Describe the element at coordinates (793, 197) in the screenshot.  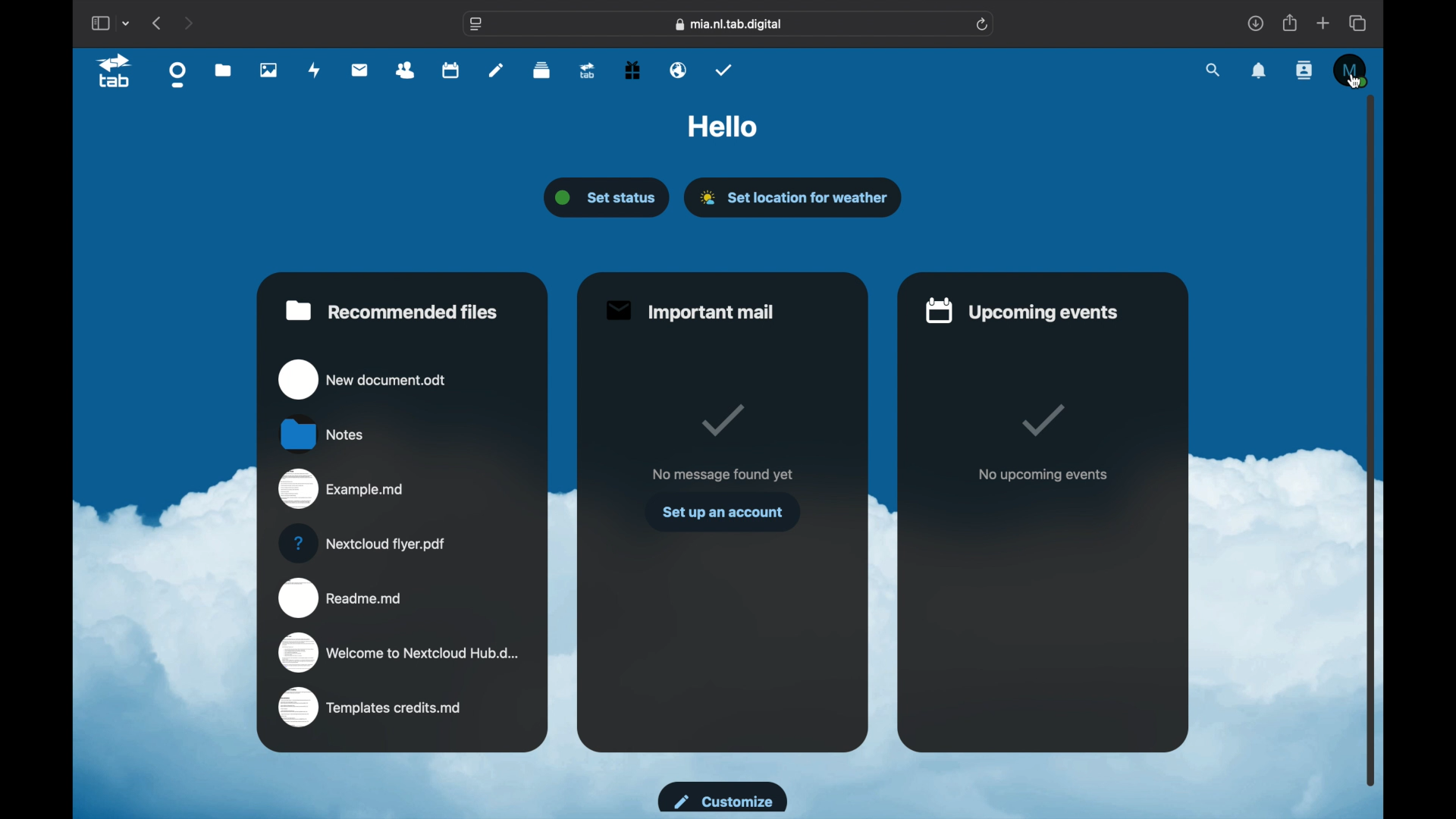
I see `set location for weather` at that location.